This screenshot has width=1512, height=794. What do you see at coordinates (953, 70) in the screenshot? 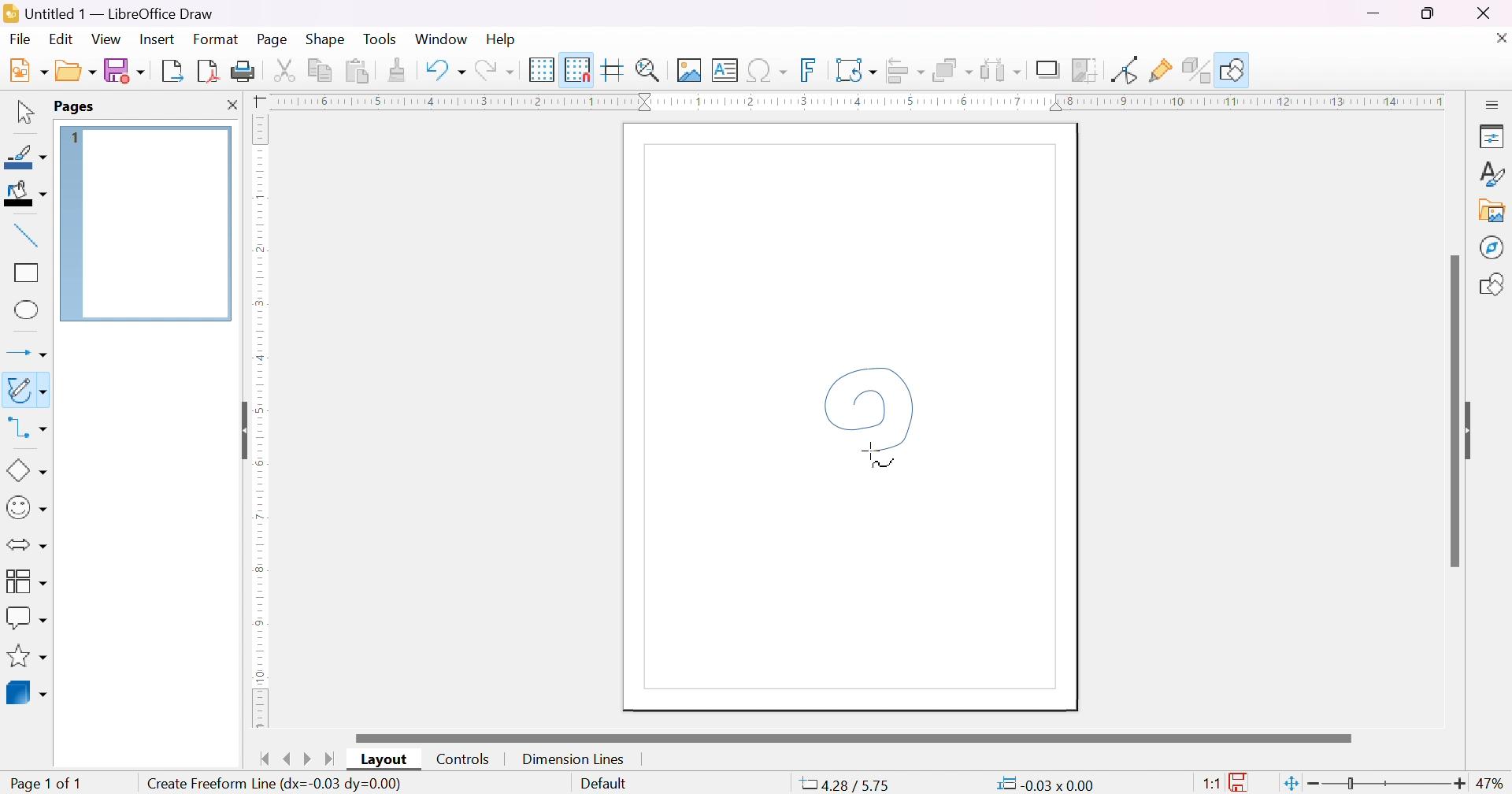
I see `arrange` at bounding box center [953, 70].